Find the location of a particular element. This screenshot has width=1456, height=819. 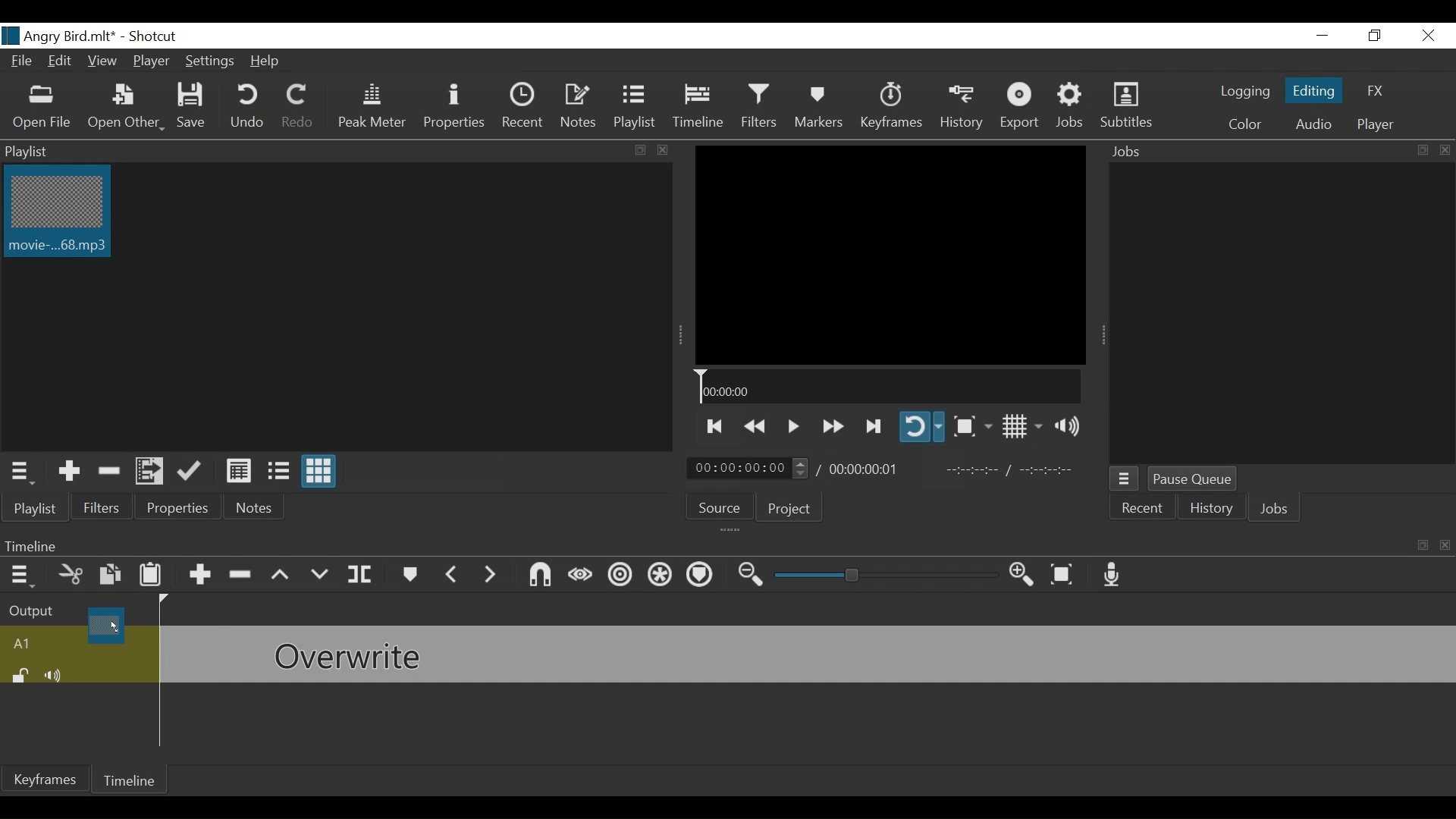

Player is located at coordinates (149, 63).